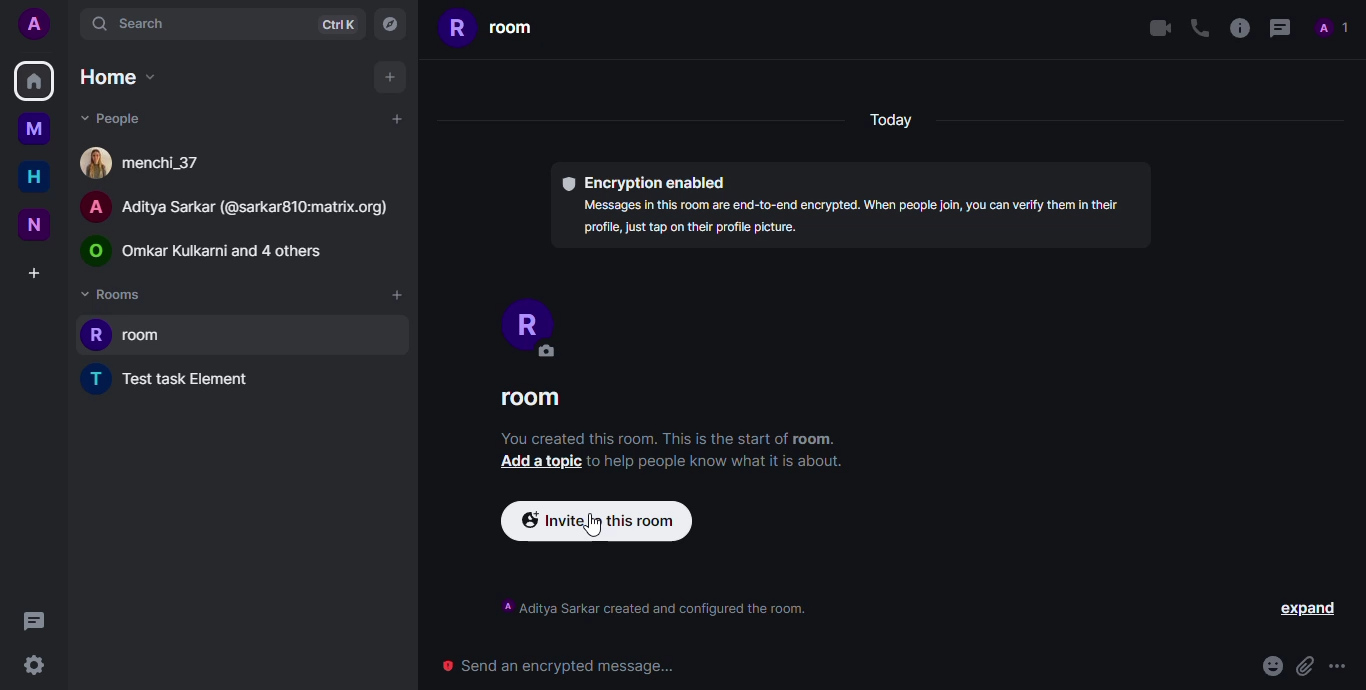 The width and height of the screenshot is (1366, 690). What do you see at coordinates (1343, 663) in the screenshot?
I see `more` at bounding box center [1343, 663].